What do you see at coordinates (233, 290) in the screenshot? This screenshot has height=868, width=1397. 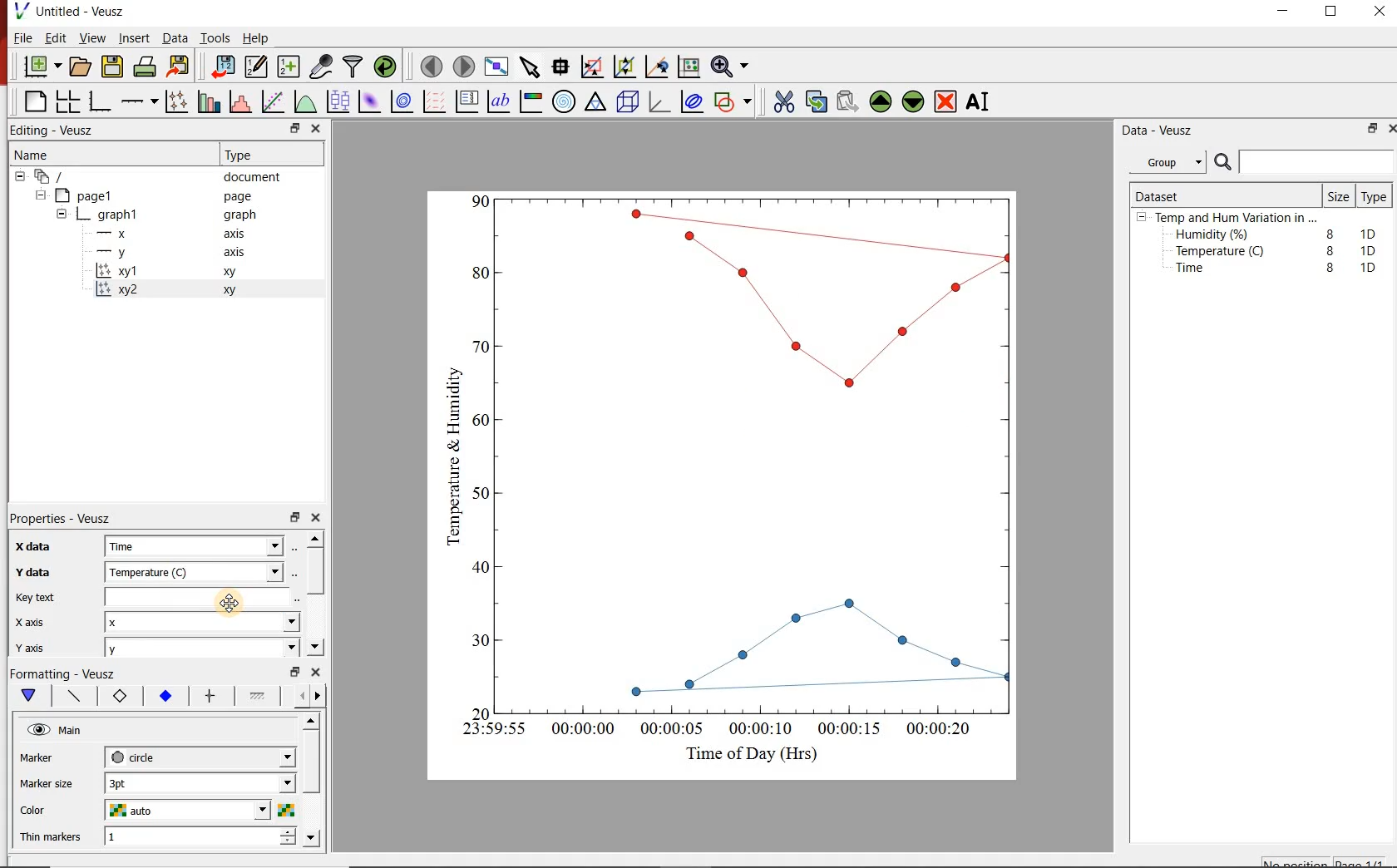 I see `xy` at bounding box center [233, 290].